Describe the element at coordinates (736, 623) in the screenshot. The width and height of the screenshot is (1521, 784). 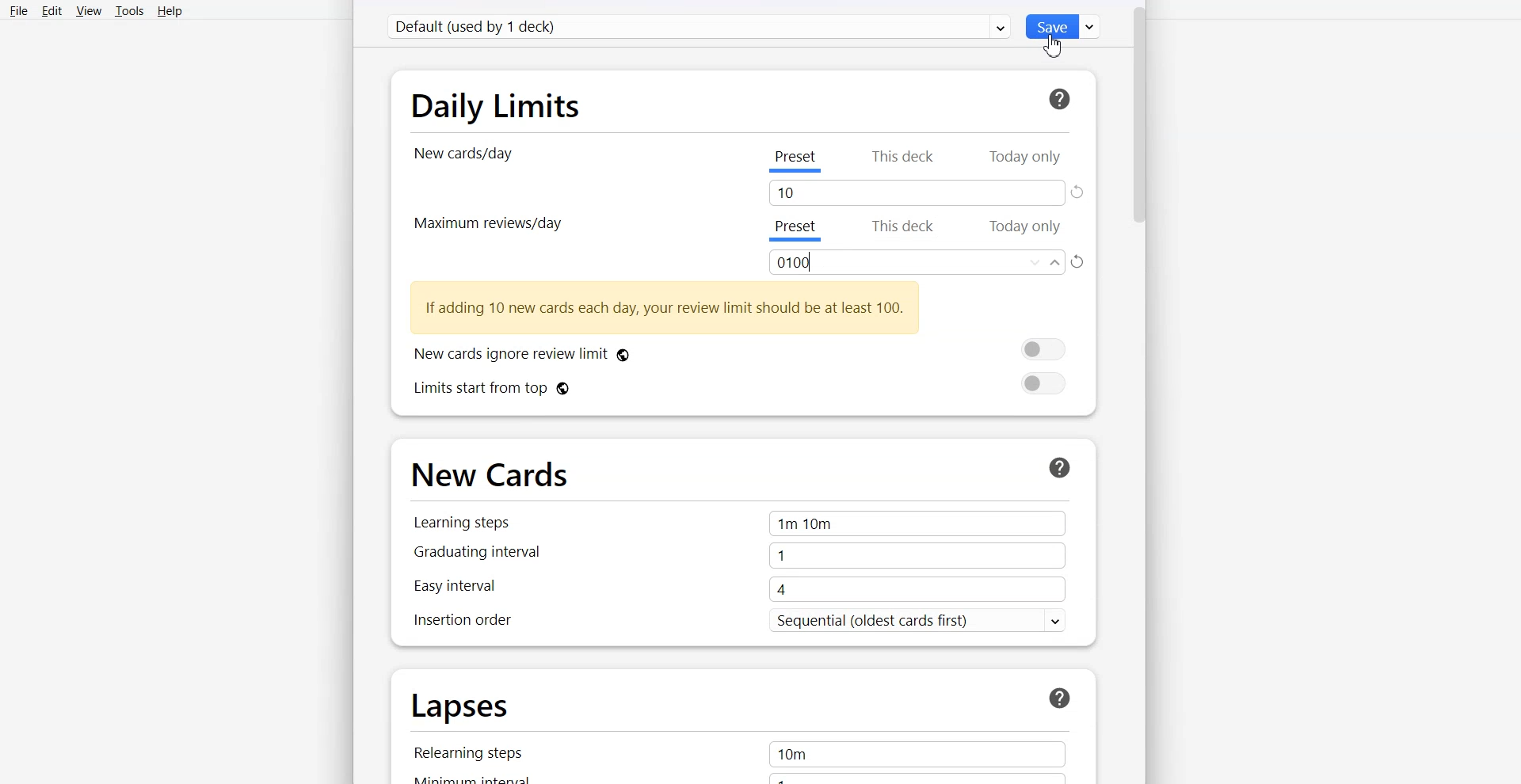
I see `Insertion order` at that location.